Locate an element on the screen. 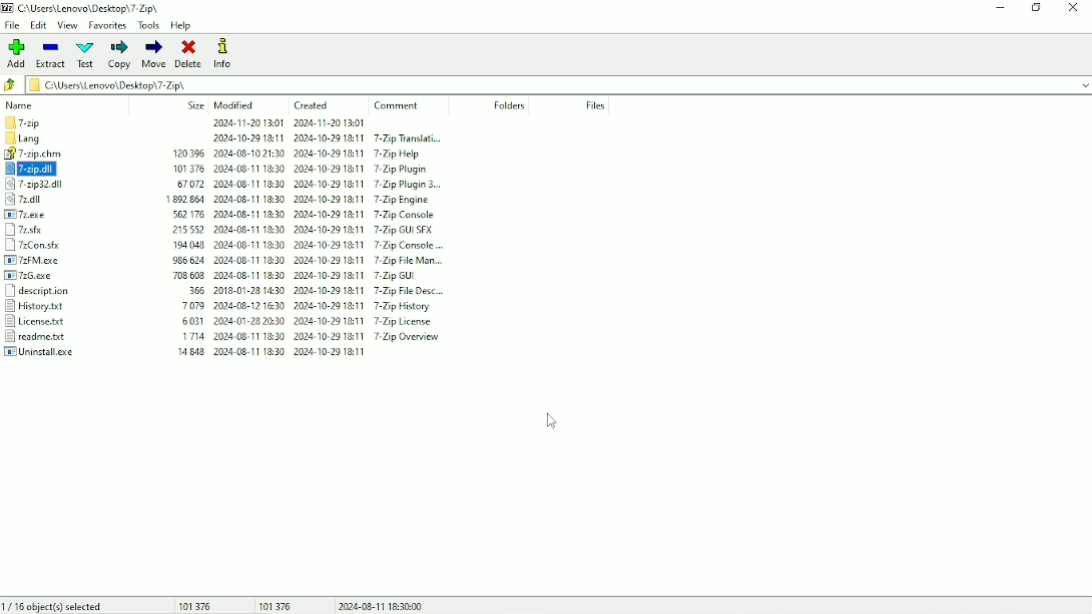 This screenshot has height=614, width=1092. Created is located at coordinates (311, 106).